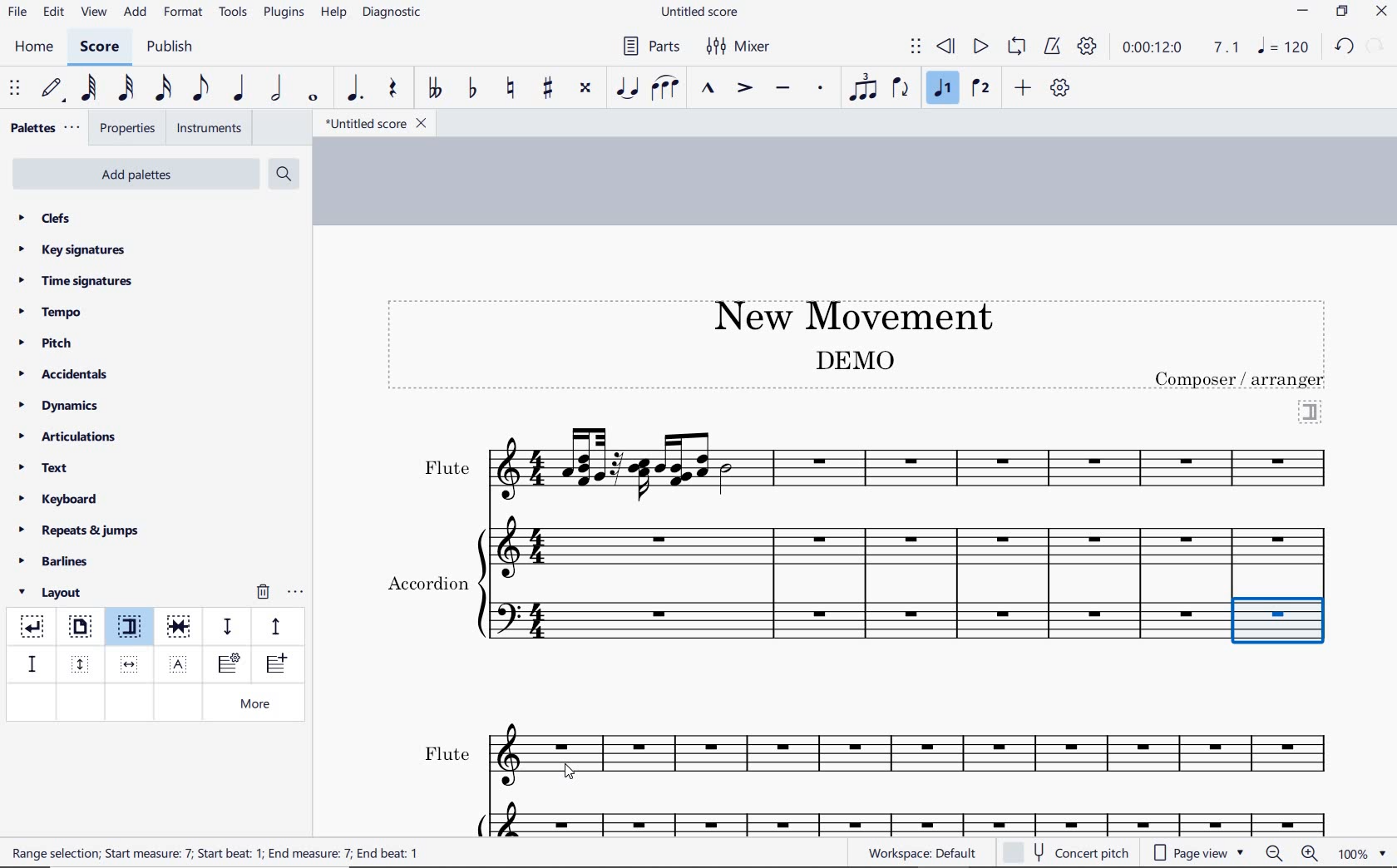 This screenshot has height=868, width=1397. I want to click on toggle natural, so click(512, 89).